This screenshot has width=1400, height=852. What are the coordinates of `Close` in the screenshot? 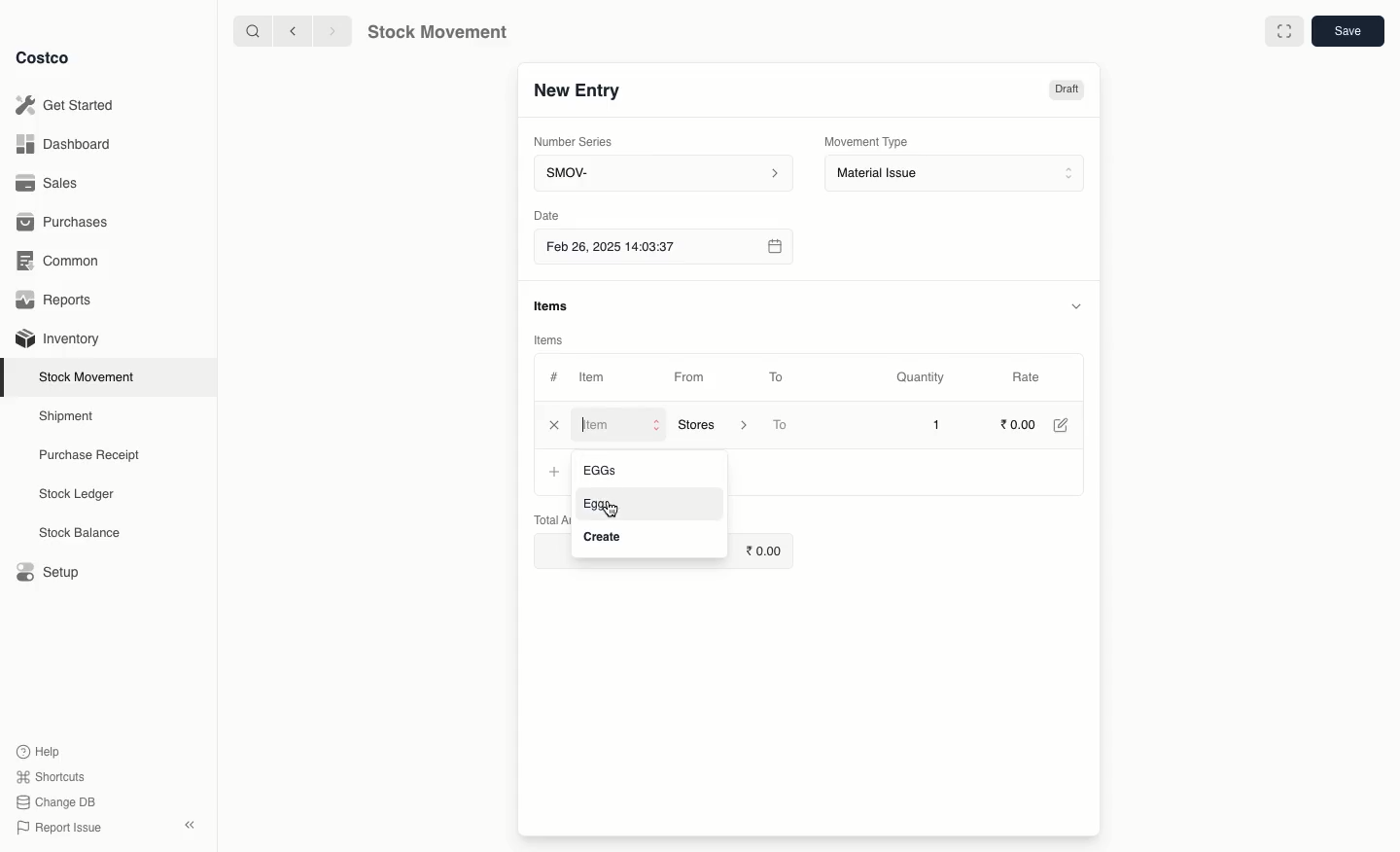 It's located at (552, 426).